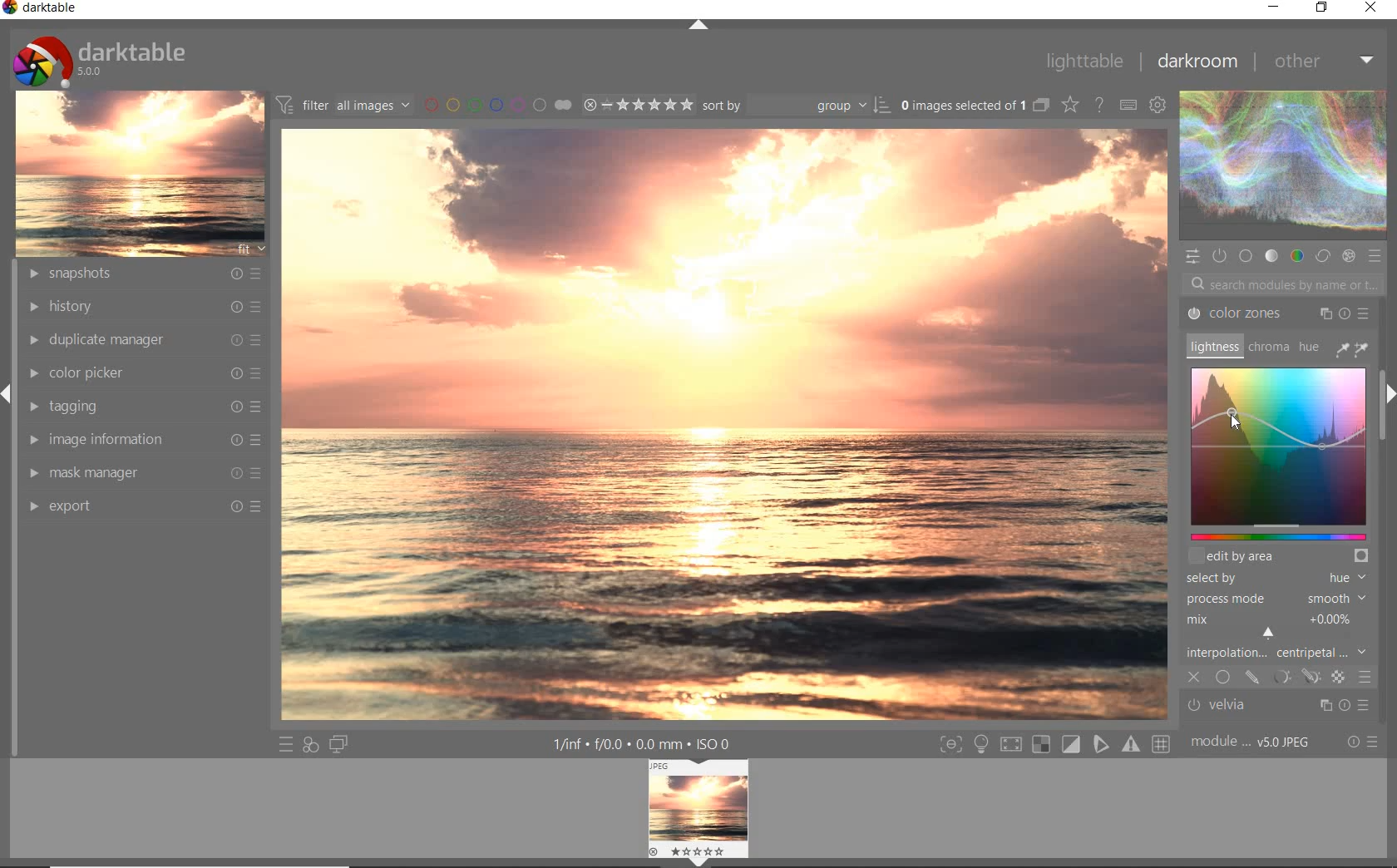 The width and height of the screenshot is (1397, 868). What do you see at coordinates (142, 405) in the screenshot?
I see `TAGGING` at bounding box center [142, 405].